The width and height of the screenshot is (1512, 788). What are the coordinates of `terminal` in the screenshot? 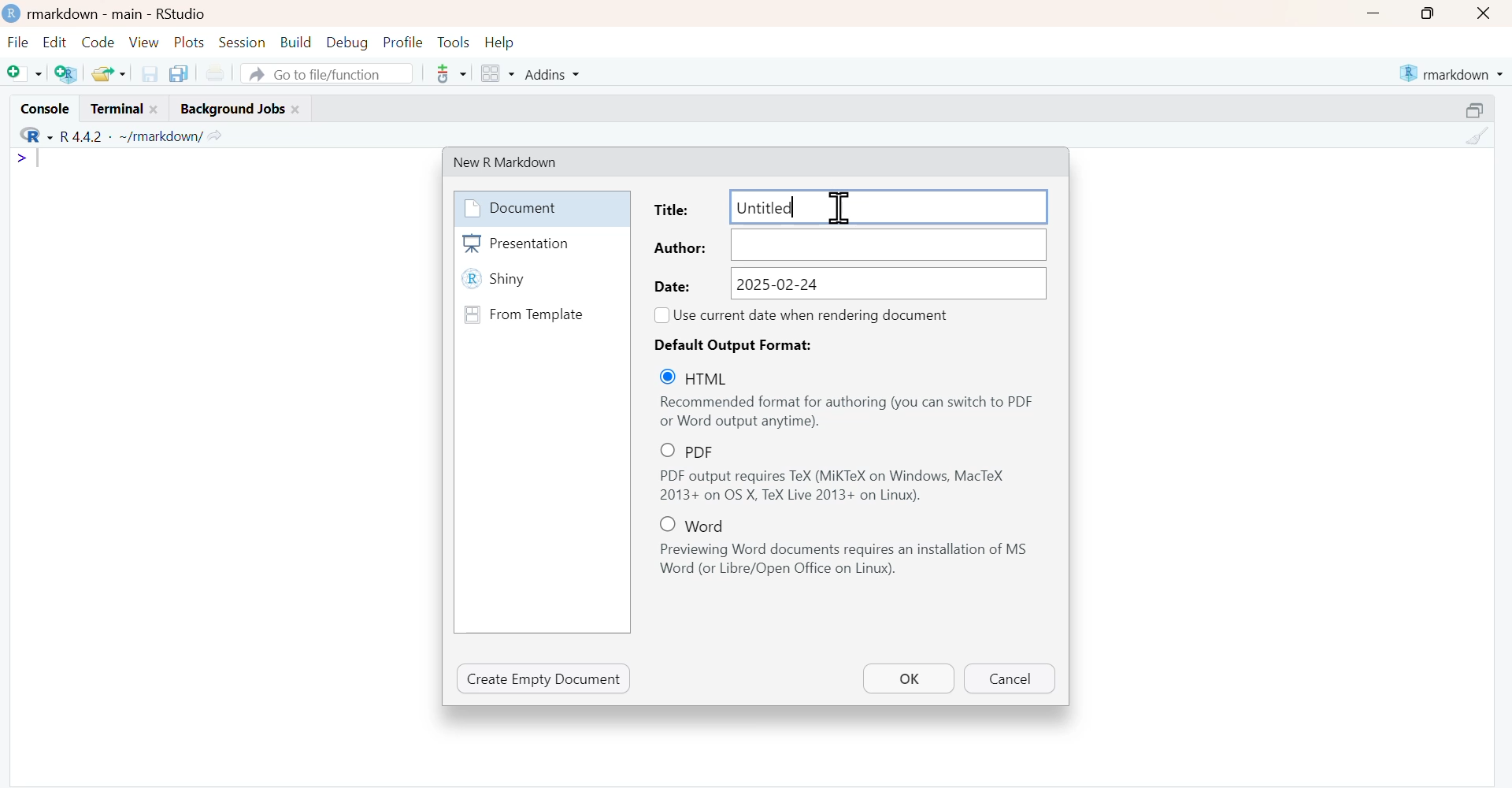 It's located at (124, 109).